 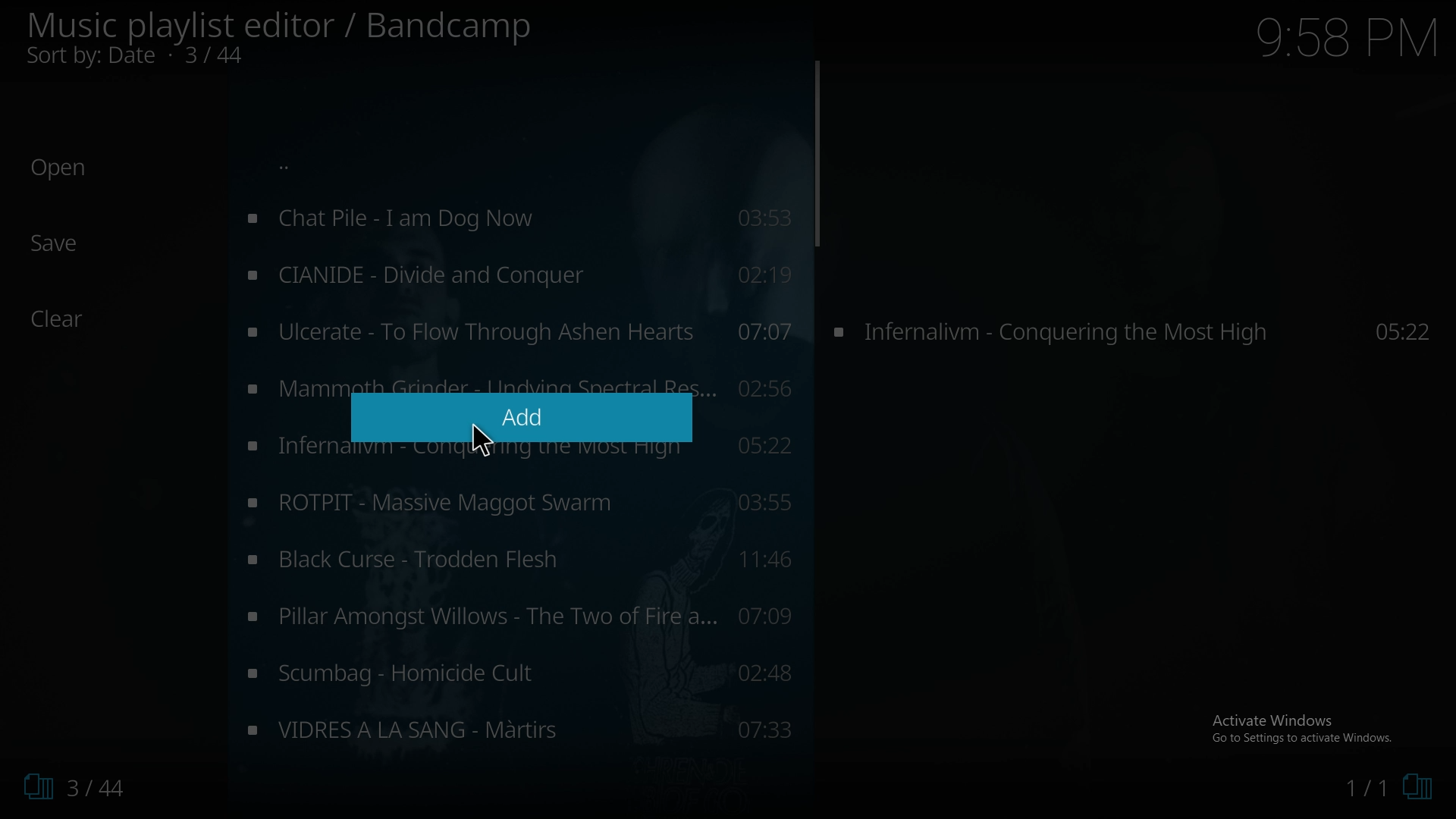 I want to click on music, so click(x=516, y=219).